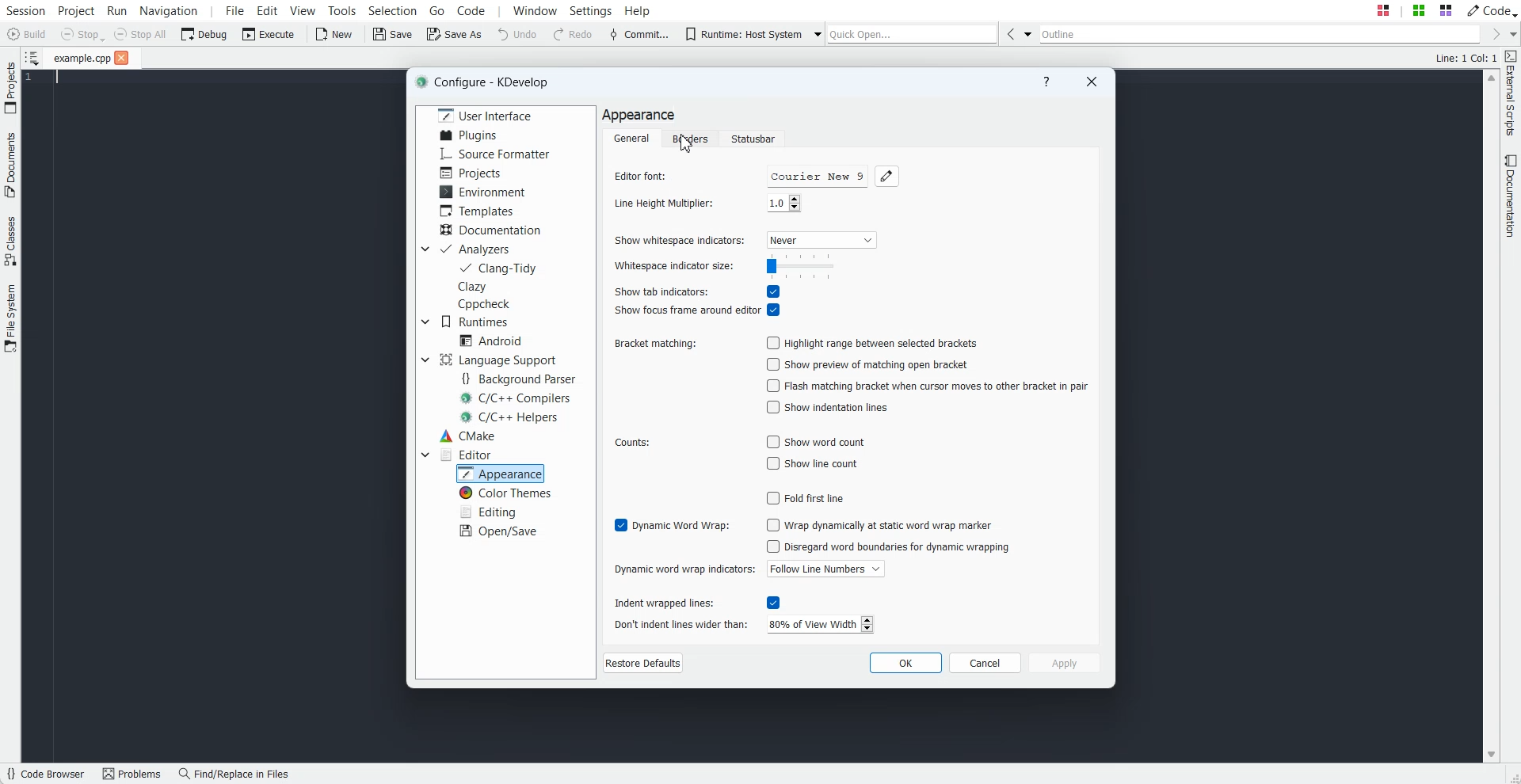  Describe the element at coordinates (639, 34) in the screenshot. I see `Commit` at that location.